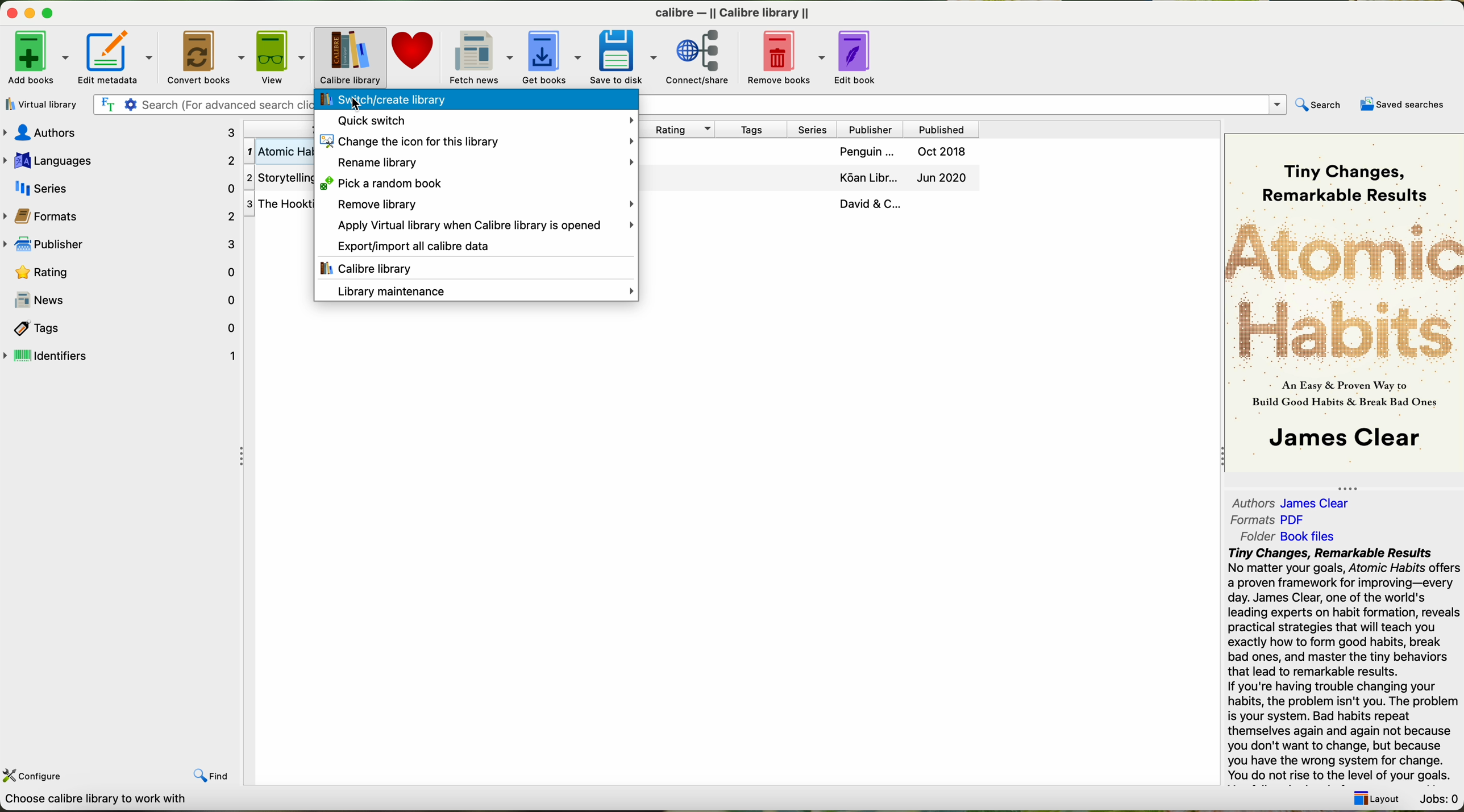  I want to click on publisher, so click(123, 245).